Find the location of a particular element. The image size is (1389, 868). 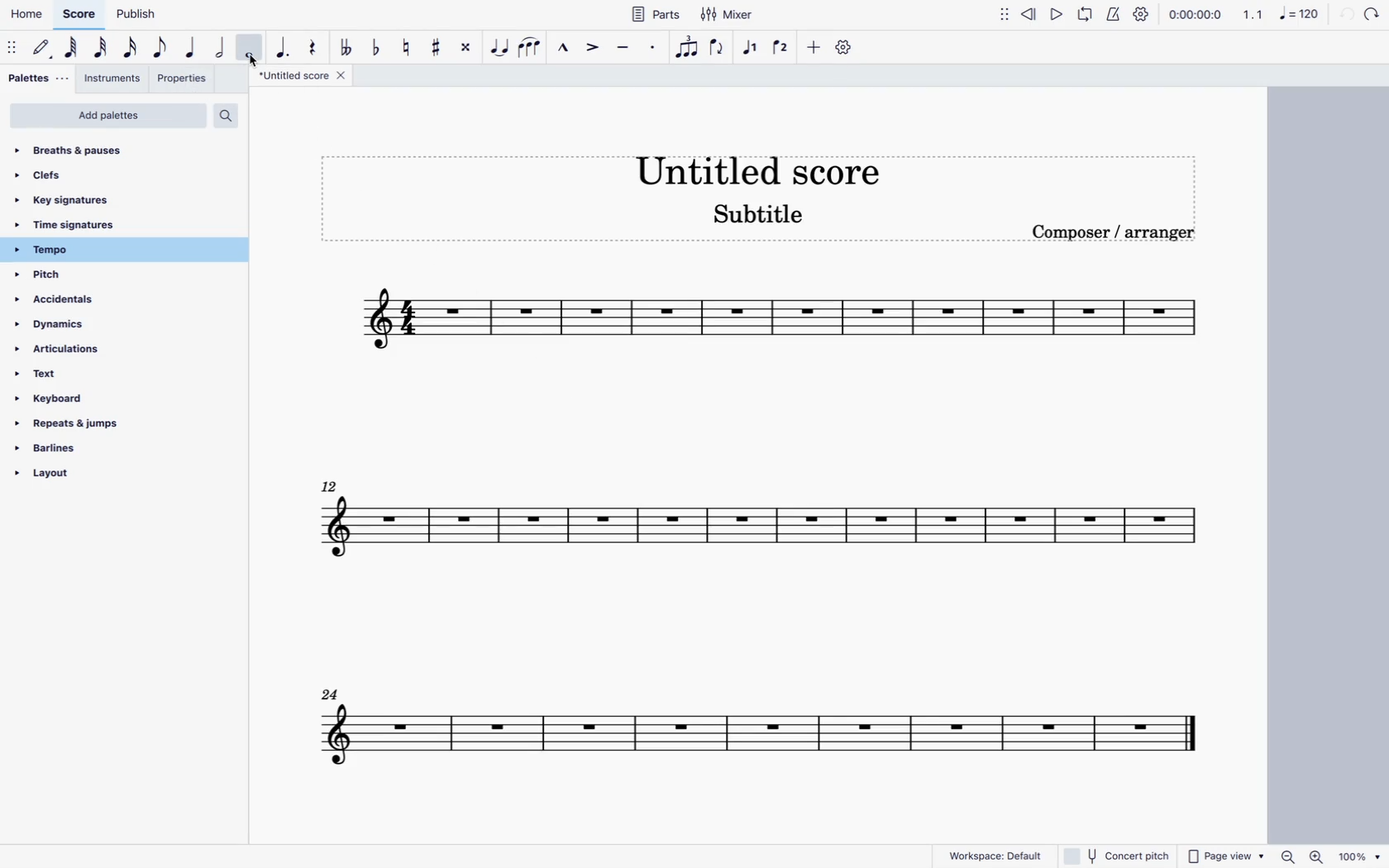

toggle flat is located at coordinates (376, 47).